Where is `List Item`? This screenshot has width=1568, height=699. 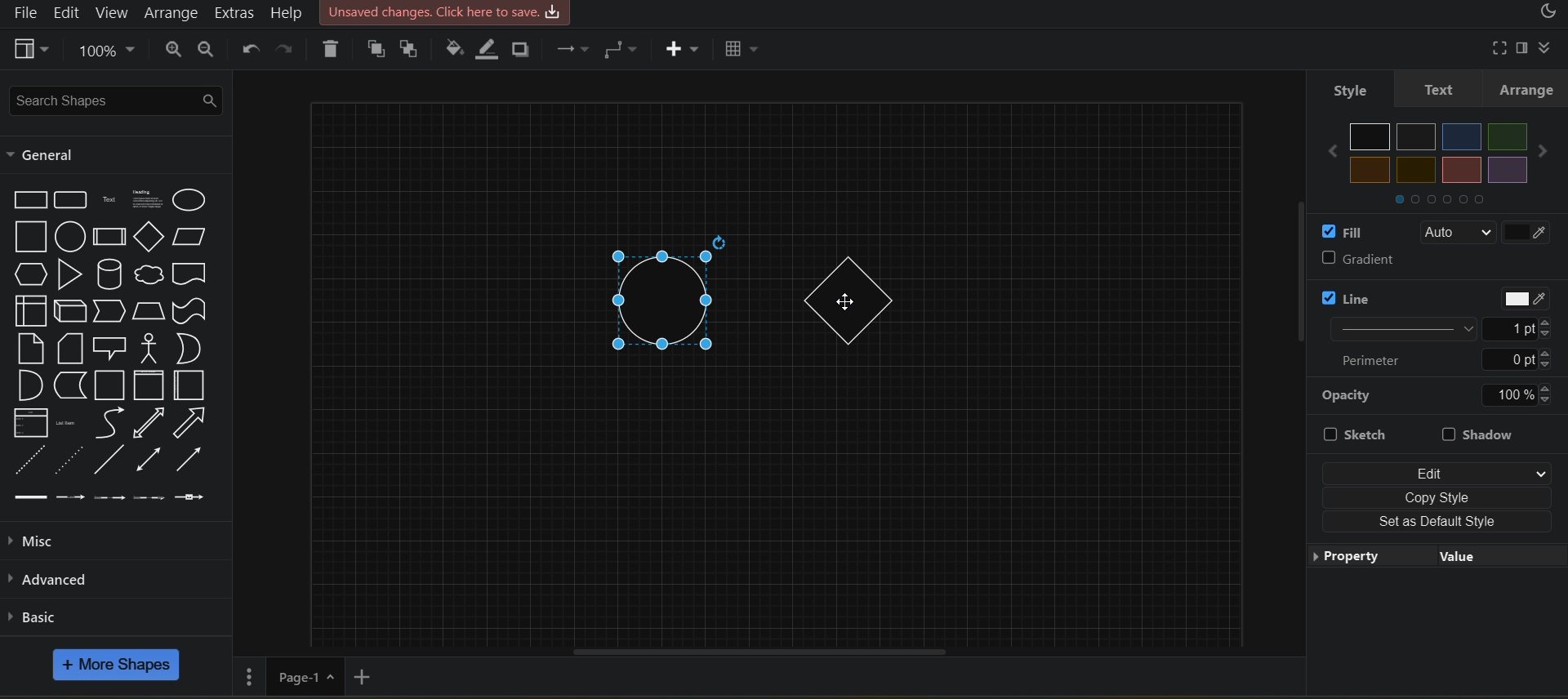 List Item is located at coordinates (67, 421).